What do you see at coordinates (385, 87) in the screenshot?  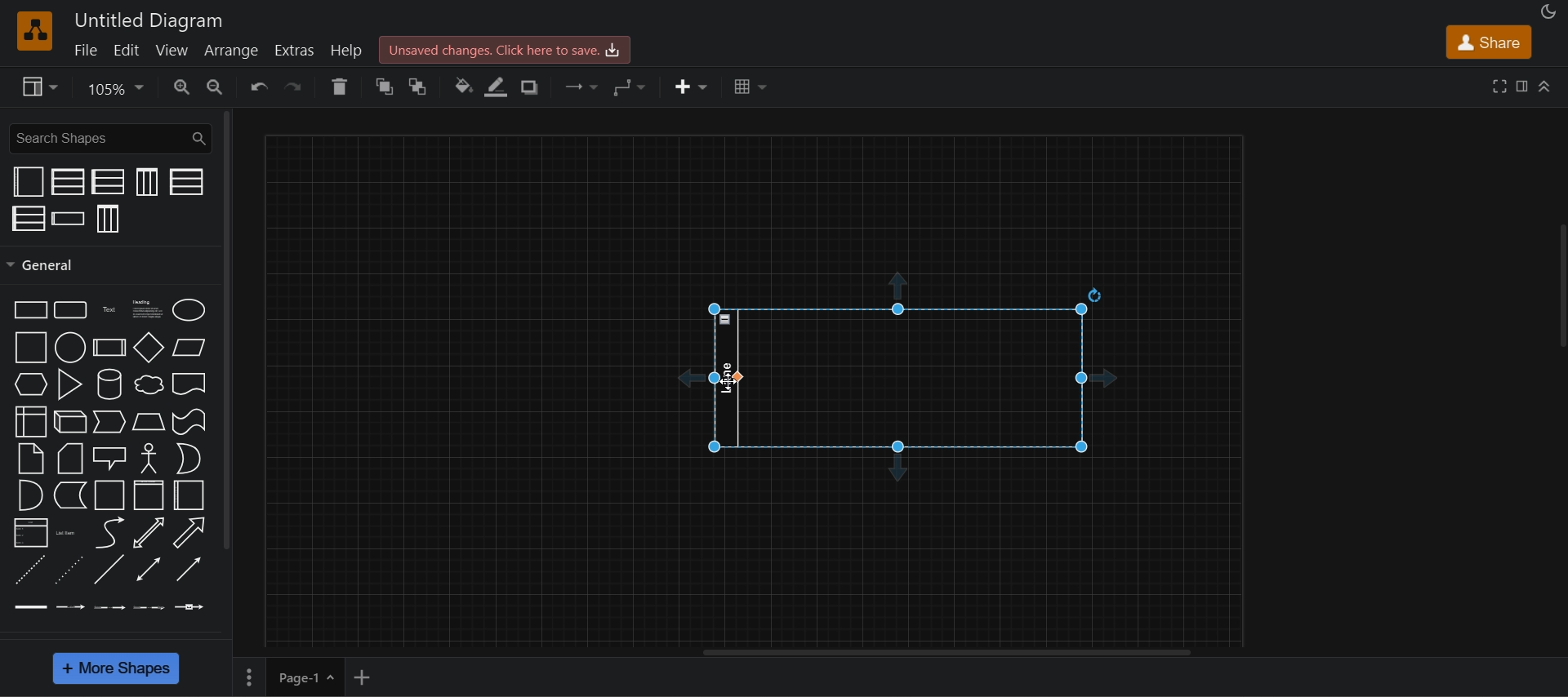 I see `to front` at bounding box center [385, 87].